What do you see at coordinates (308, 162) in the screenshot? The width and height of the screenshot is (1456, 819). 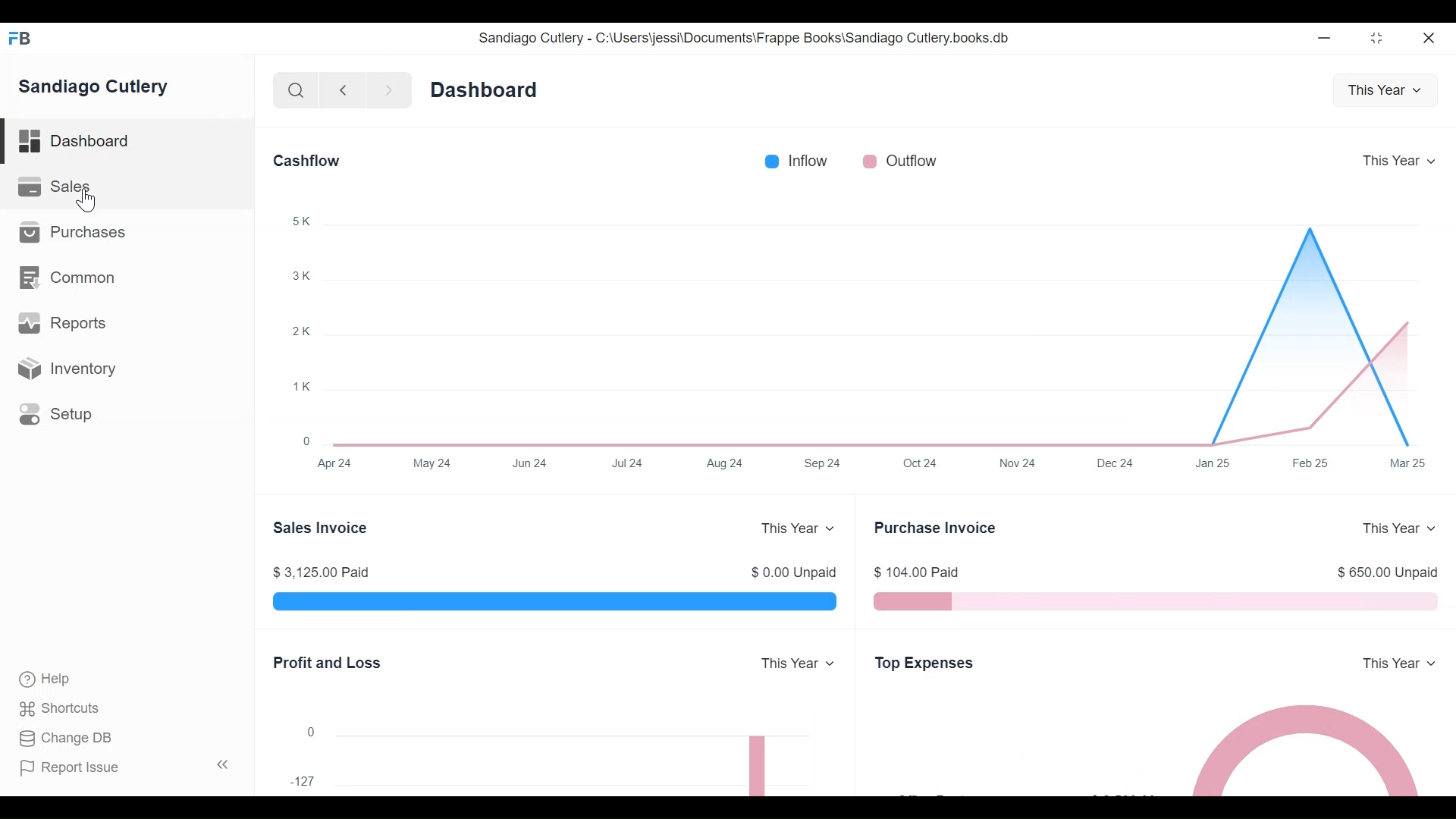 I see `Cashflow` at bounding box center [308, 162].